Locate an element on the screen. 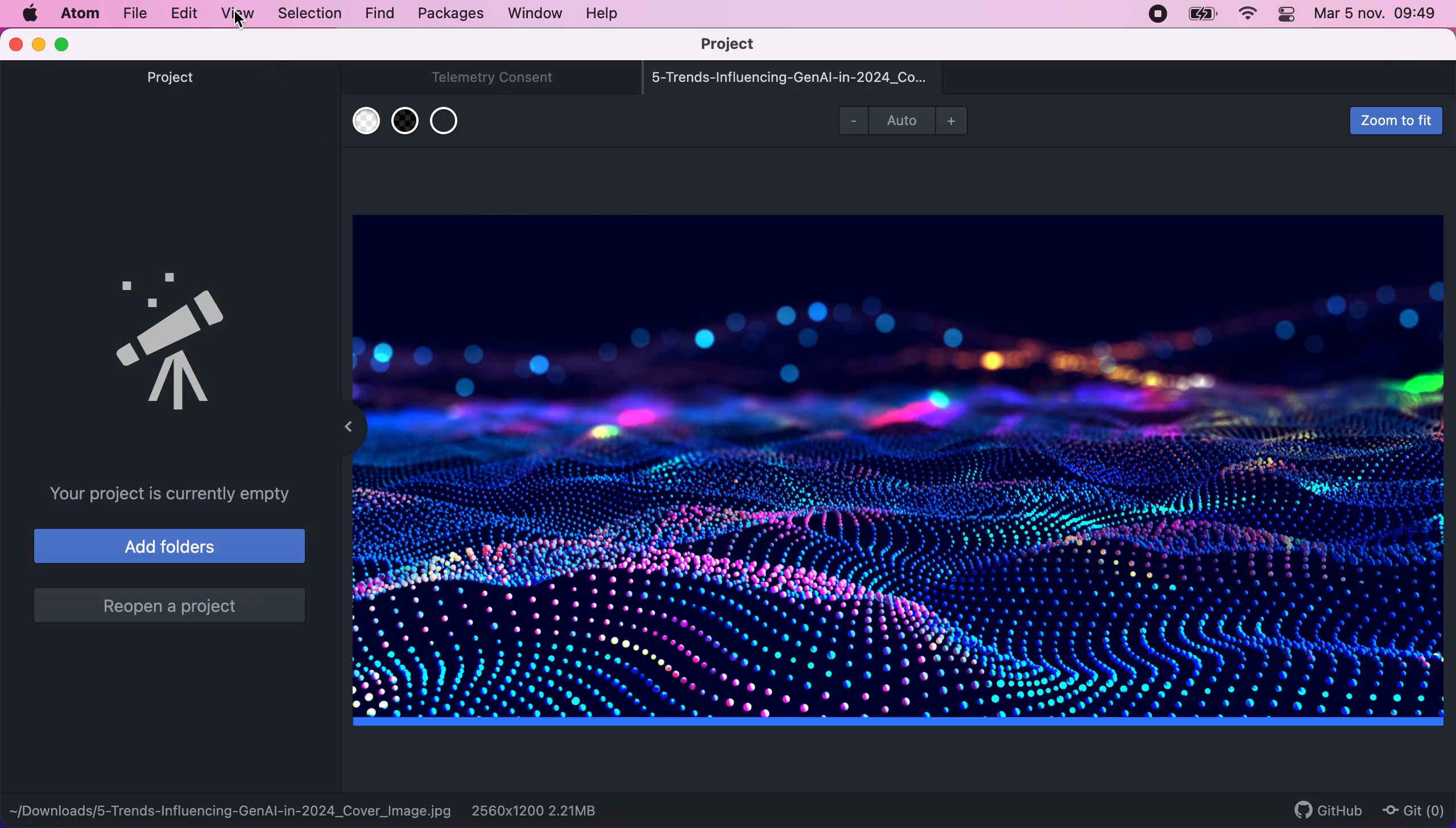 This screenshot has height=828, width=1456. edit is located at coordinates (184, 13).